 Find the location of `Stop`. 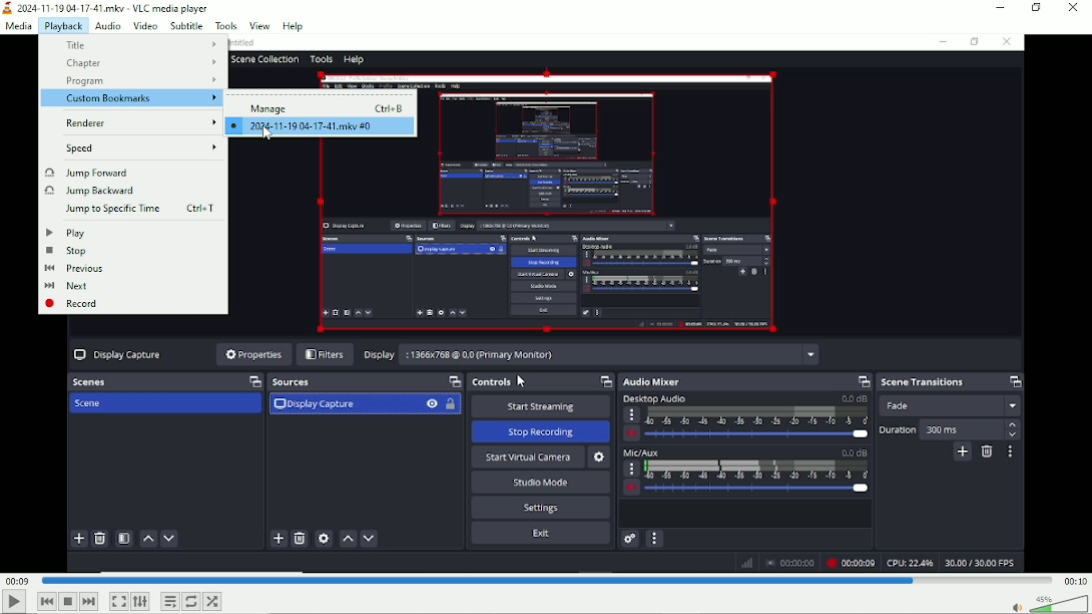

Stop is located at coordinates (67, 251).